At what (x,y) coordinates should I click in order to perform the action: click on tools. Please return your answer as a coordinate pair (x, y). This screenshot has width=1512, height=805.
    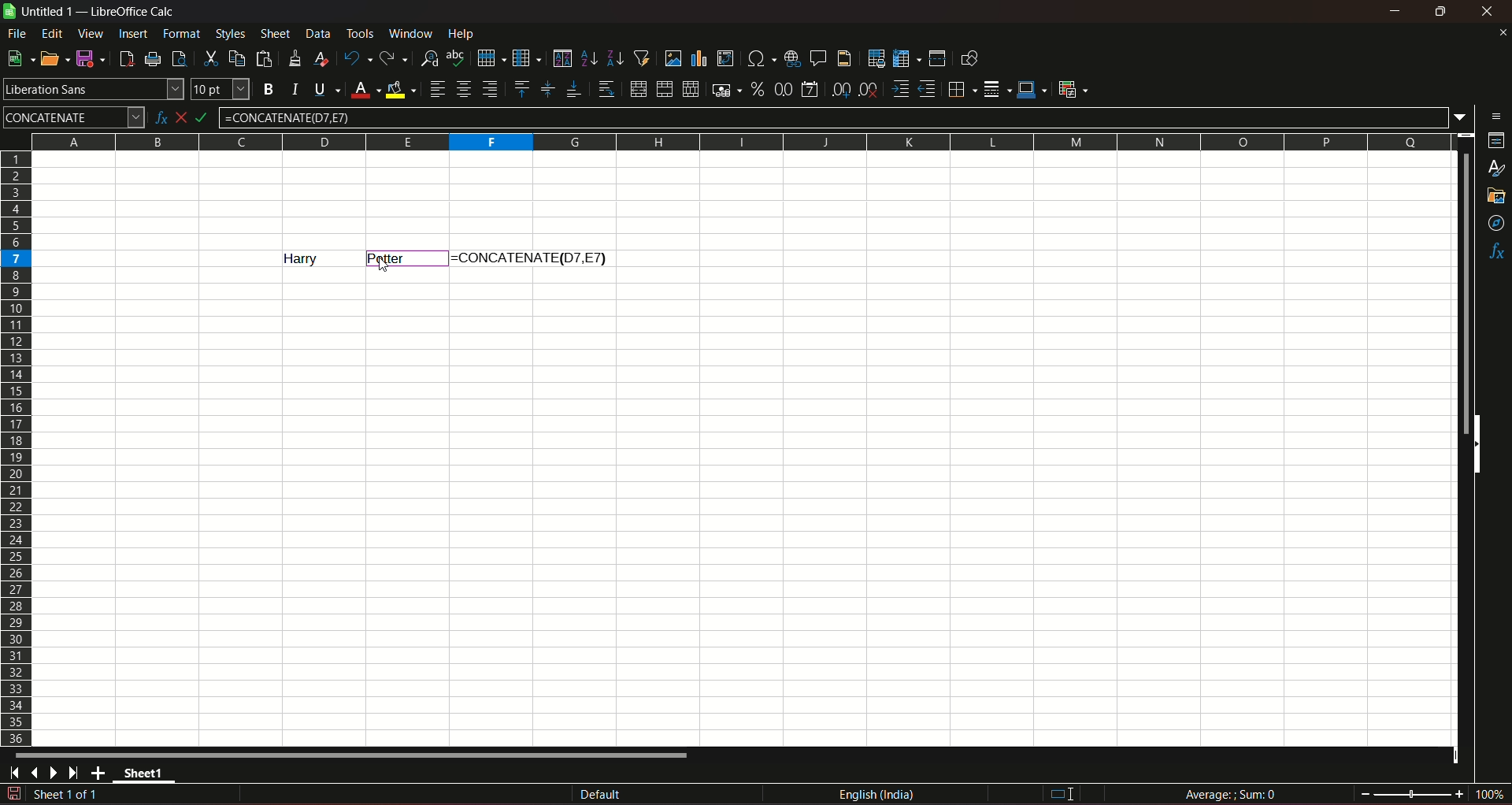
    Looking at the image, I should click on (361, 33).